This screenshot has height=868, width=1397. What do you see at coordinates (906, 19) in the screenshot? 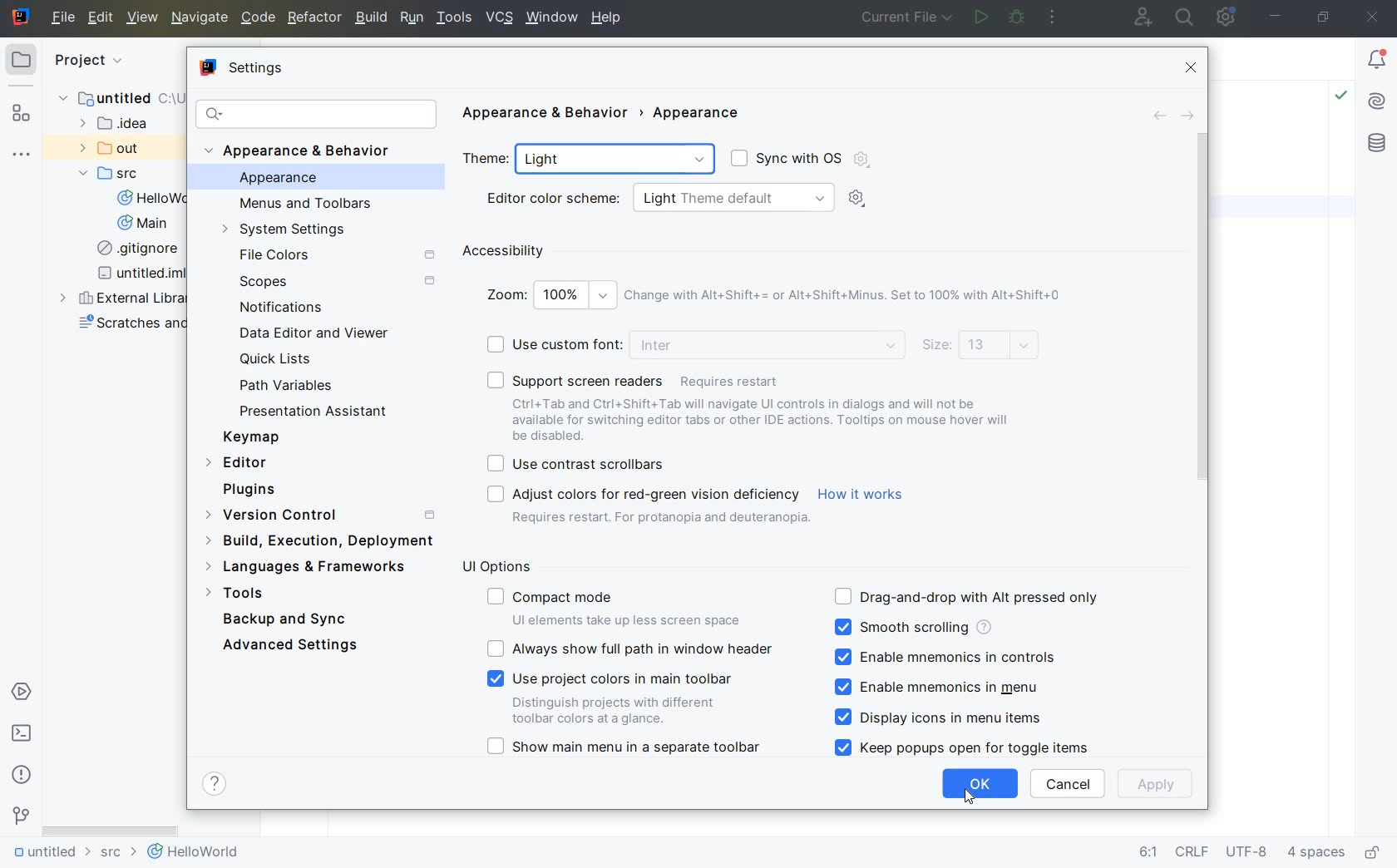
I see `CURRENT FILE` at bounding box center [906, 19].